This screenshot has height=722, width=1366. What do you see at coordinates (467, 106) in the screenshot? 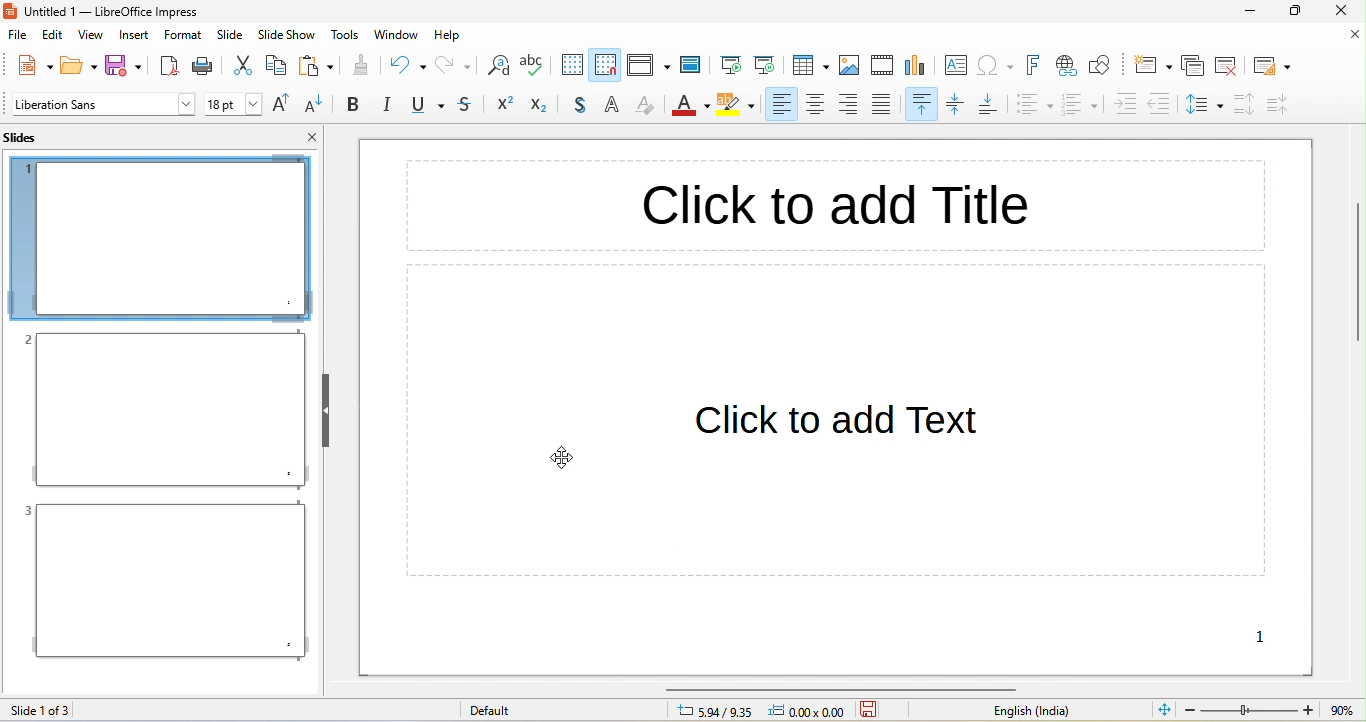
I see `strikethrough` at bounding box center [467, 106].